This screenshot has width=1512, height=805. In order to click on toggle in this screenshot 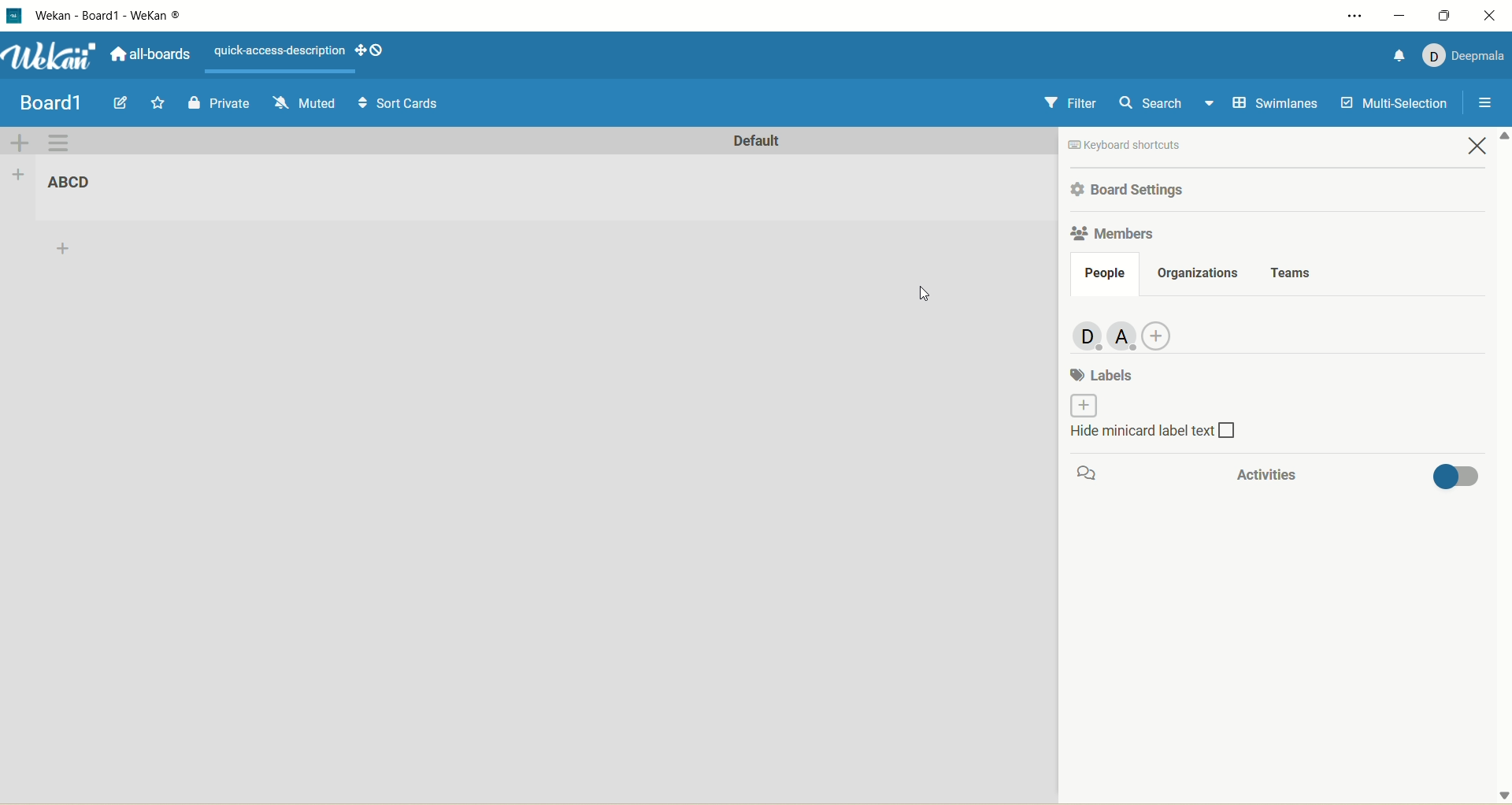, I will do `click(1456, 480)`.